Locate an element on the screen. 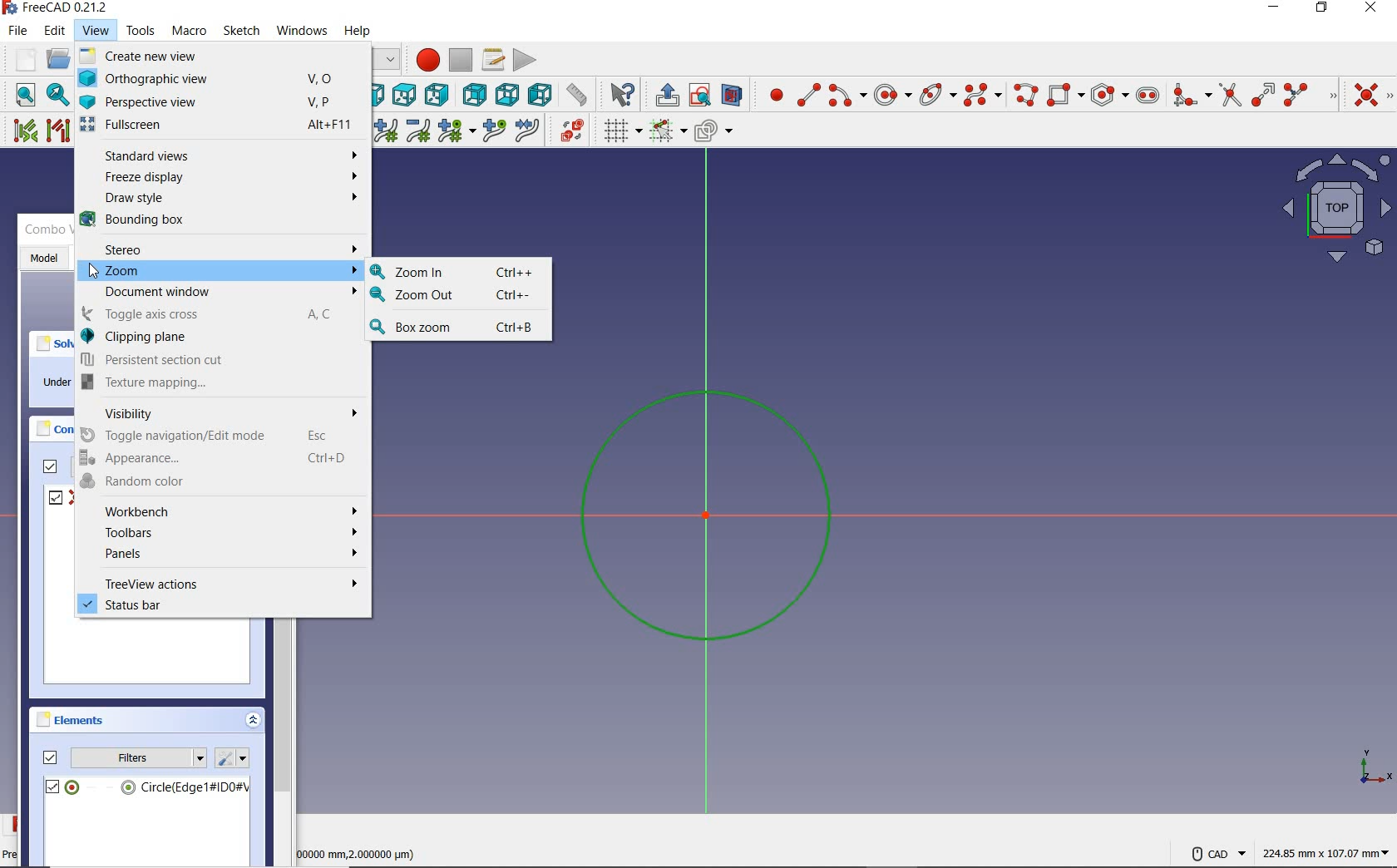 The width and height of the screenshot is (1397, 868). Persistent section cut is located at coordinates (225, 358).